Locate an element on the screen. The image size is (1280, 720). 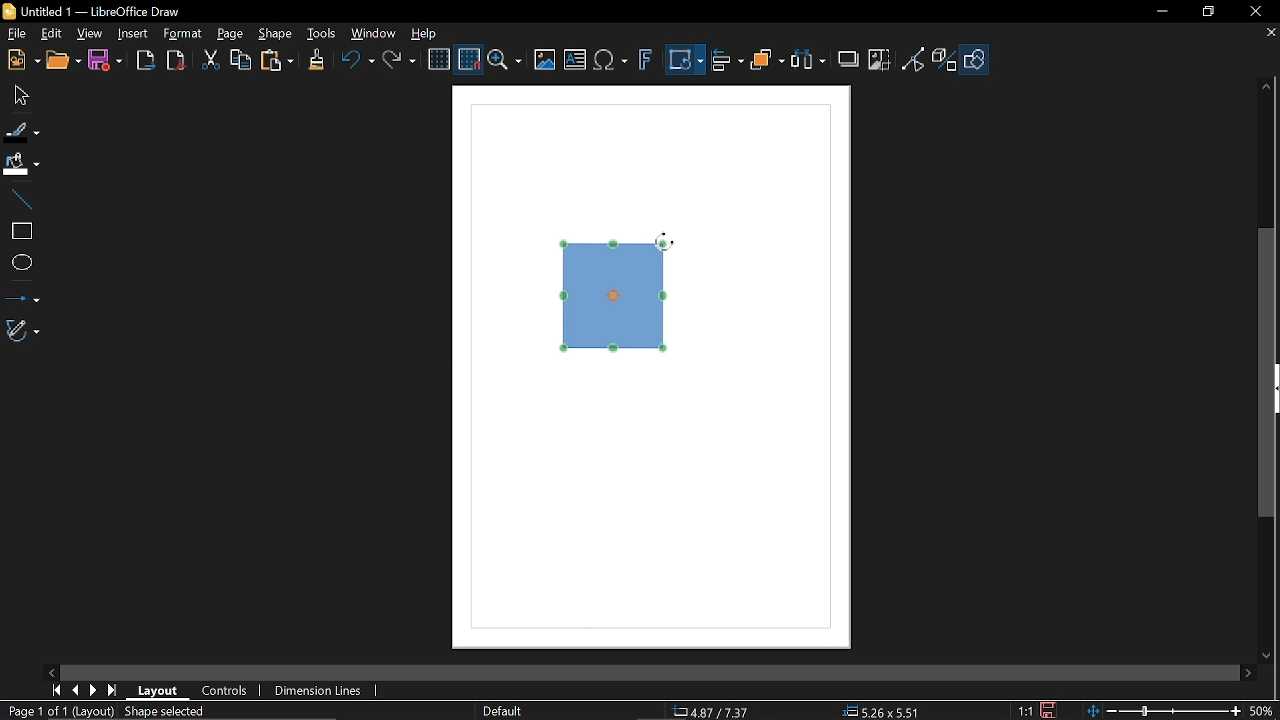
5.26x5.51 (object size ) is located at coordinates (885, 711).